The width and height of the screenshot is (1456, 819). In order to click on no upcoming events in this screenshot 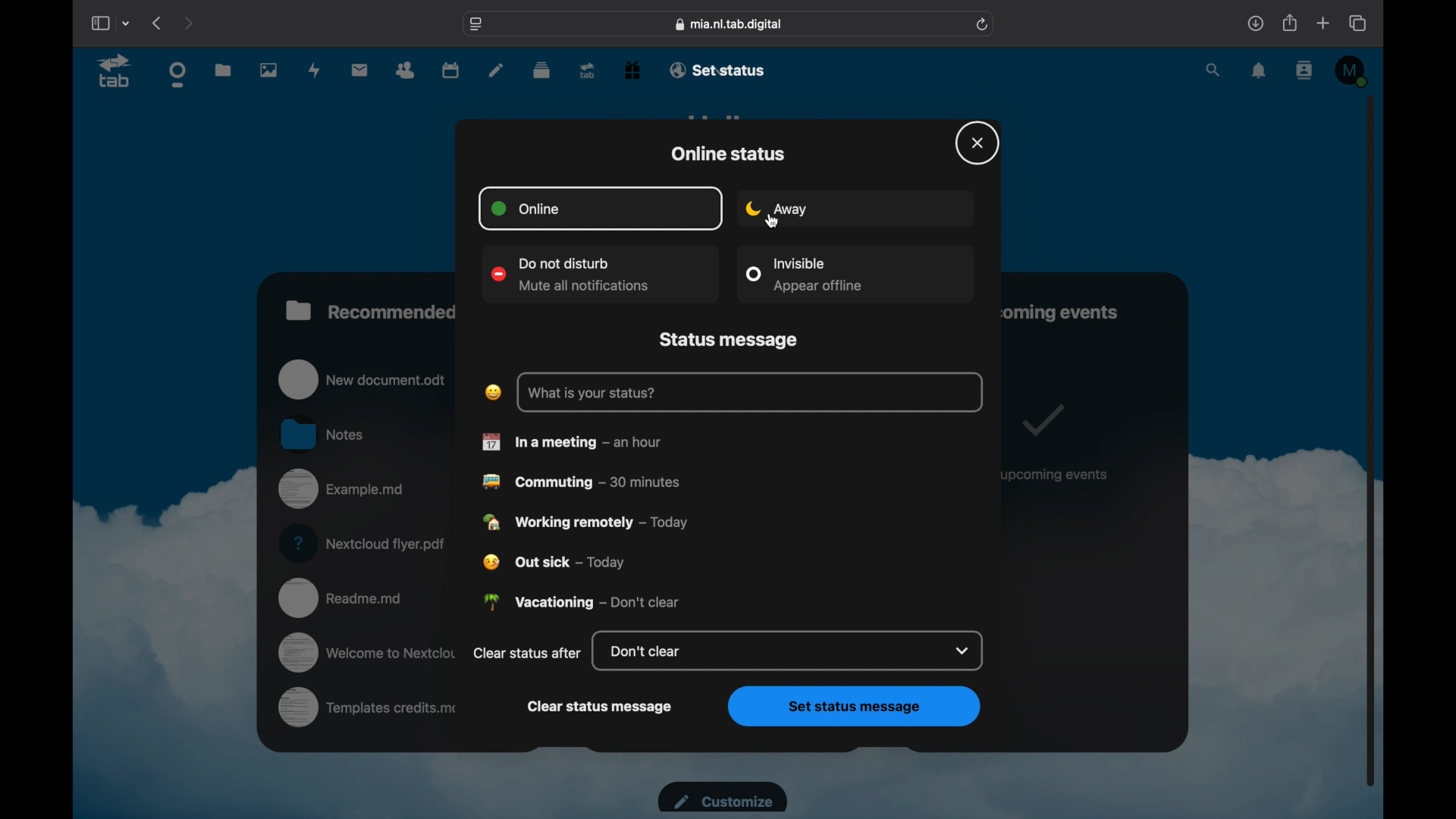, I will do `click(1055, 475)`.